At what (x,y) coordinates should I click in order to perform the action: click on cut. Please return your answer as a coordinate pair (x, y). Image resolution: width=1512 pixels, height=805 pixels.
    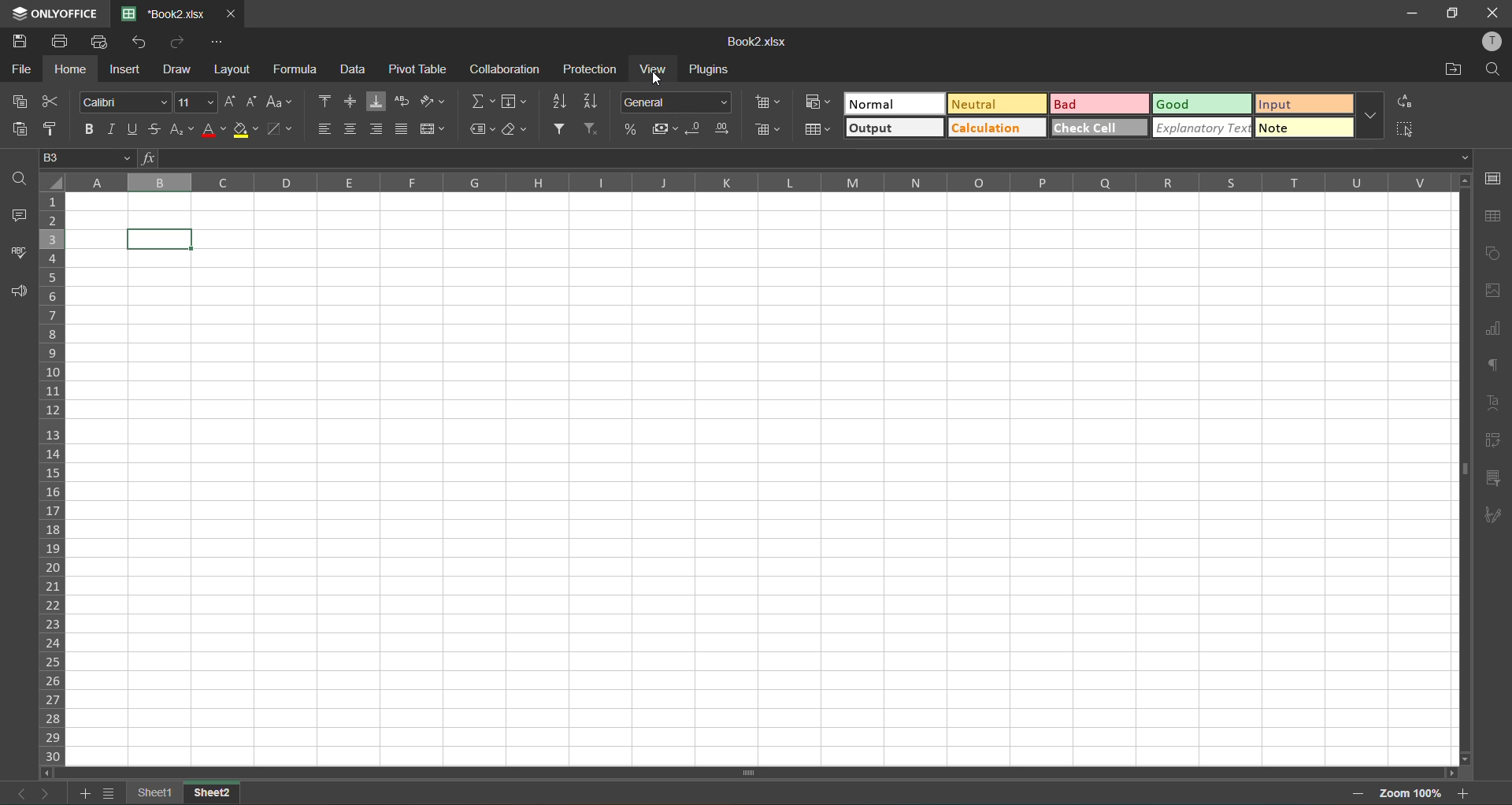
    Looking at the image, I should click on (50, 103).